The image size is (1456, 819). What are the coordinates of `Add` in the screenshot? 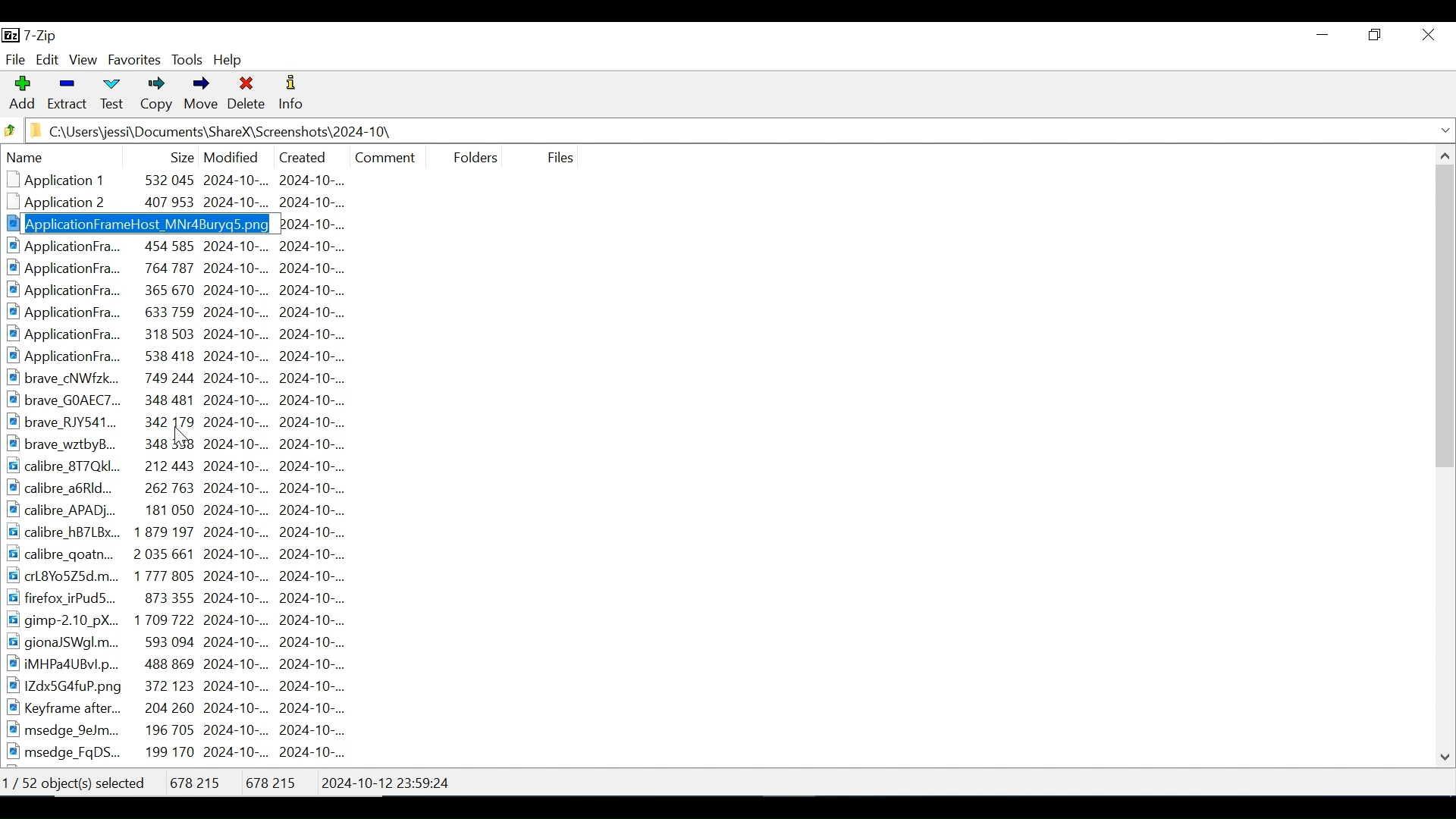 It's located at (22, 94).